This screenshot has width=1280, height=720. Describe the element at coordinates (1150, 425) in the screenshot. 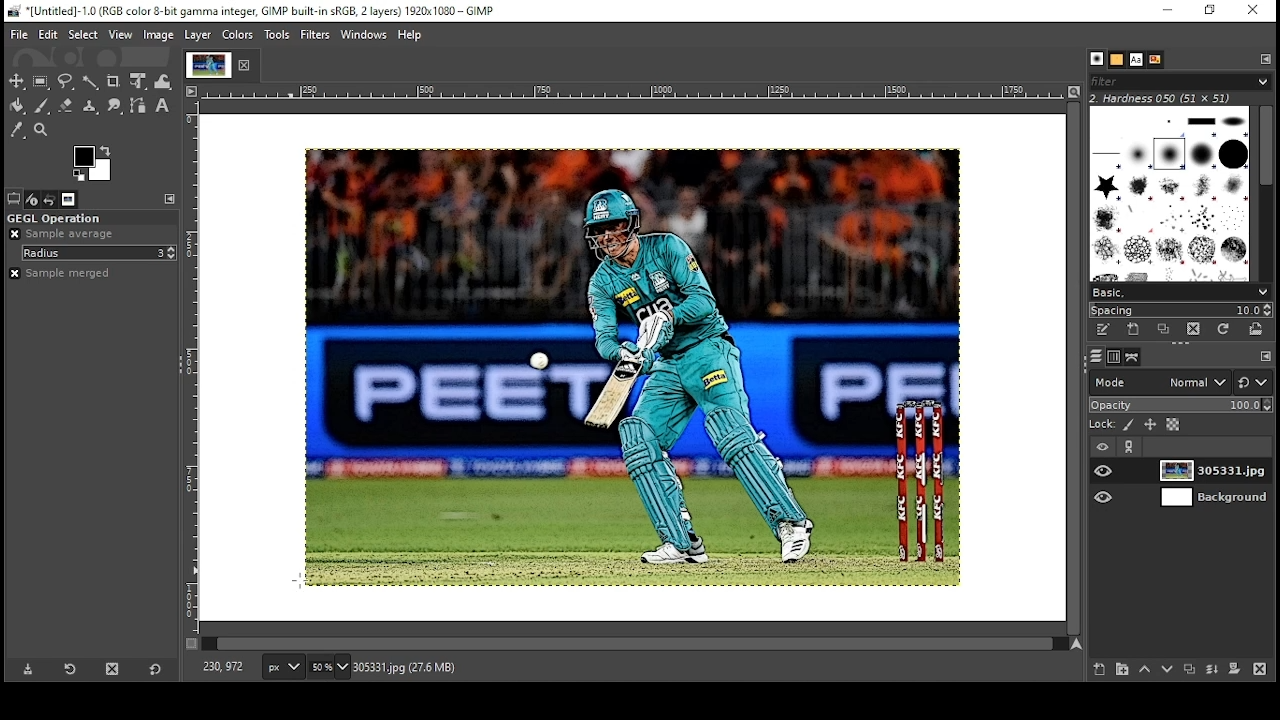

I see `lock position and size` at that location.